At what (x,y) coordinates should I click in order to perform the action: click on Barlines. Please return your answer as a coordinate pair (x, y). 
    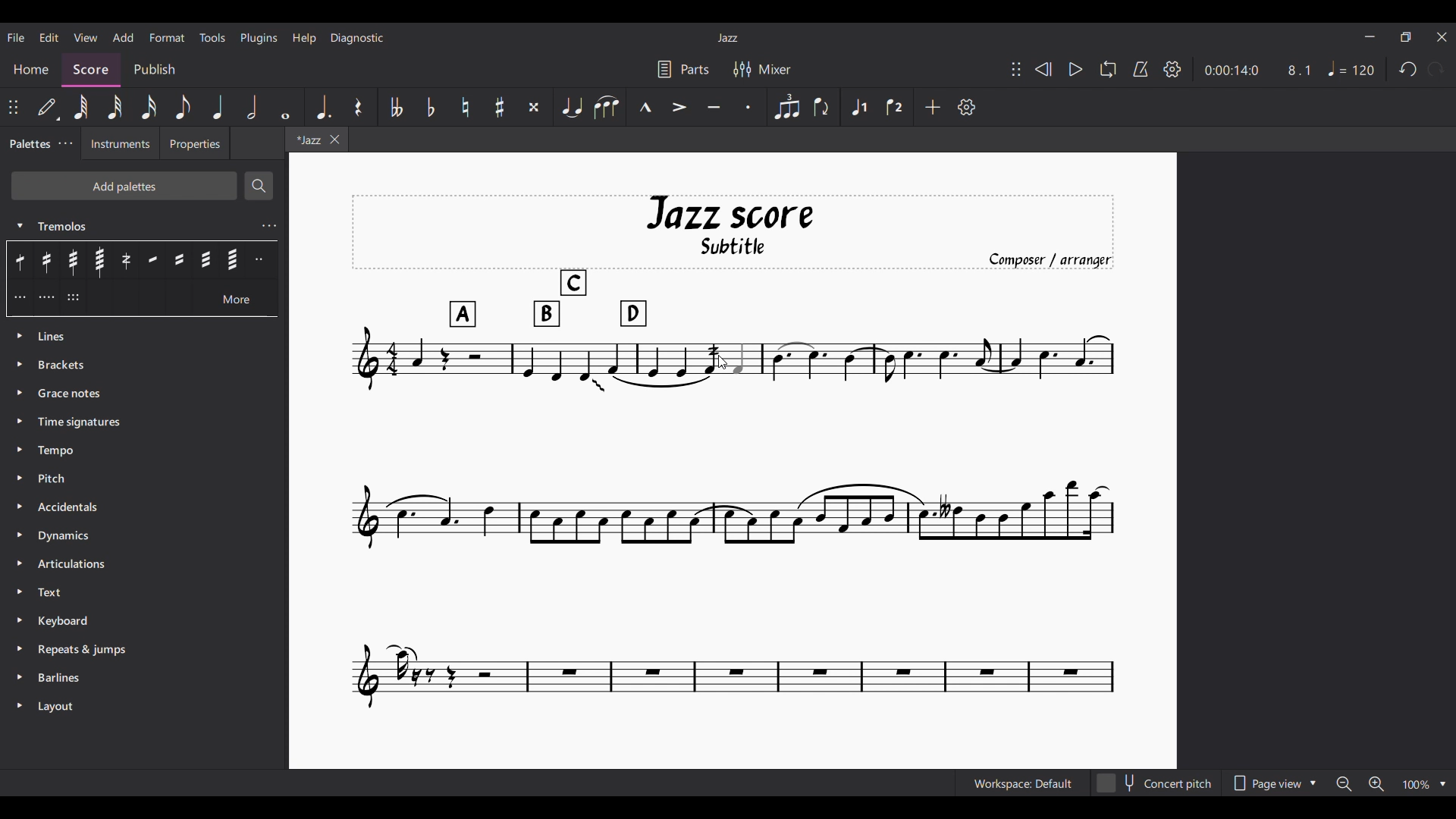
    Looking at the image, I should click on (142, 678).